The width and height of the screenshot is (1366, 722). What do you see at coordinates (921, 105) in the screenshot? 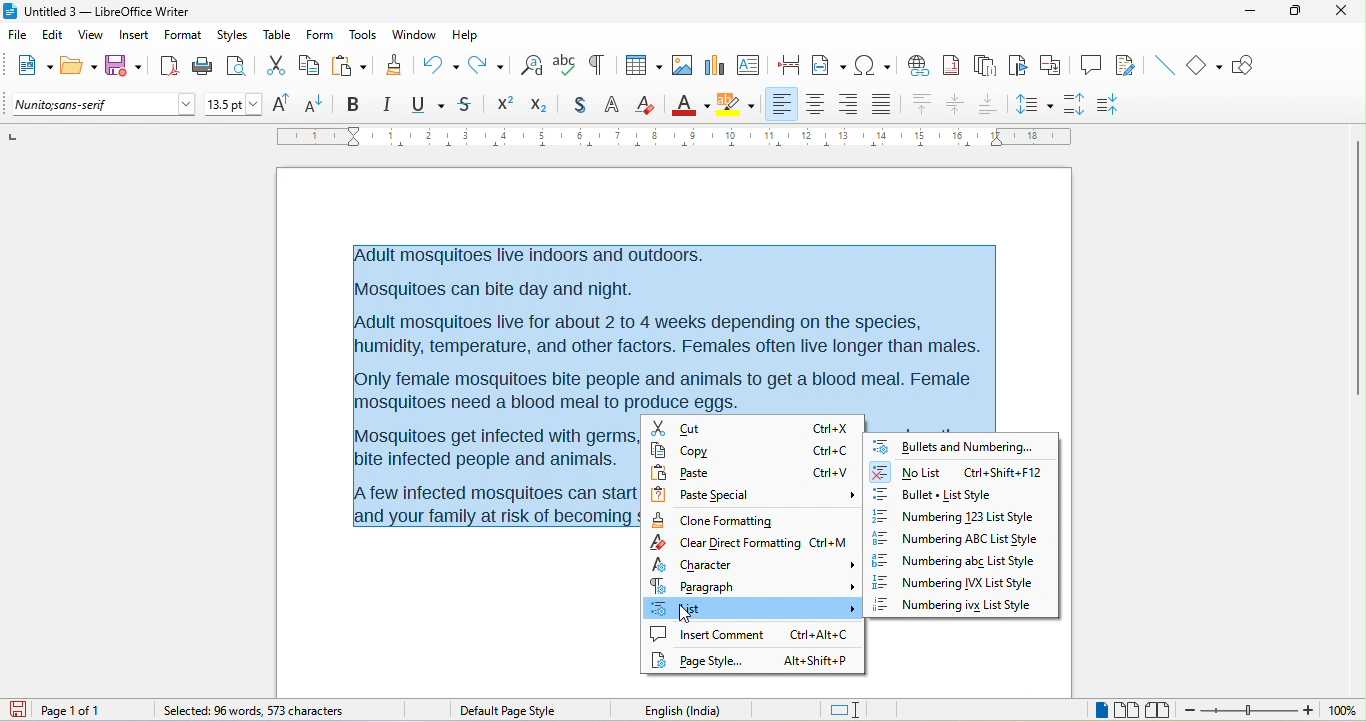
I see `align top` at bounding box center [921, 105].